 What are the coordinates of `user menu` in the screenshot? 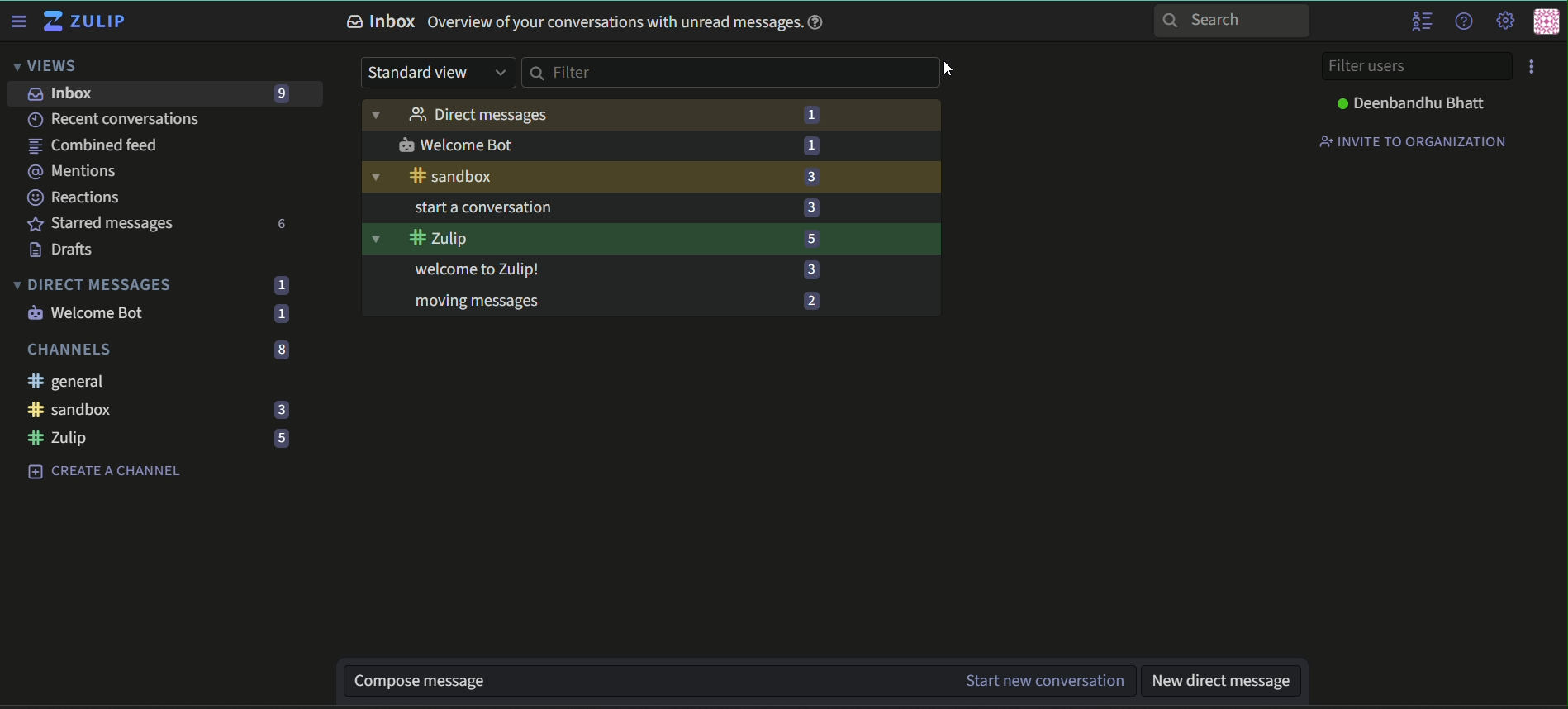 It's located at (1547, 23).